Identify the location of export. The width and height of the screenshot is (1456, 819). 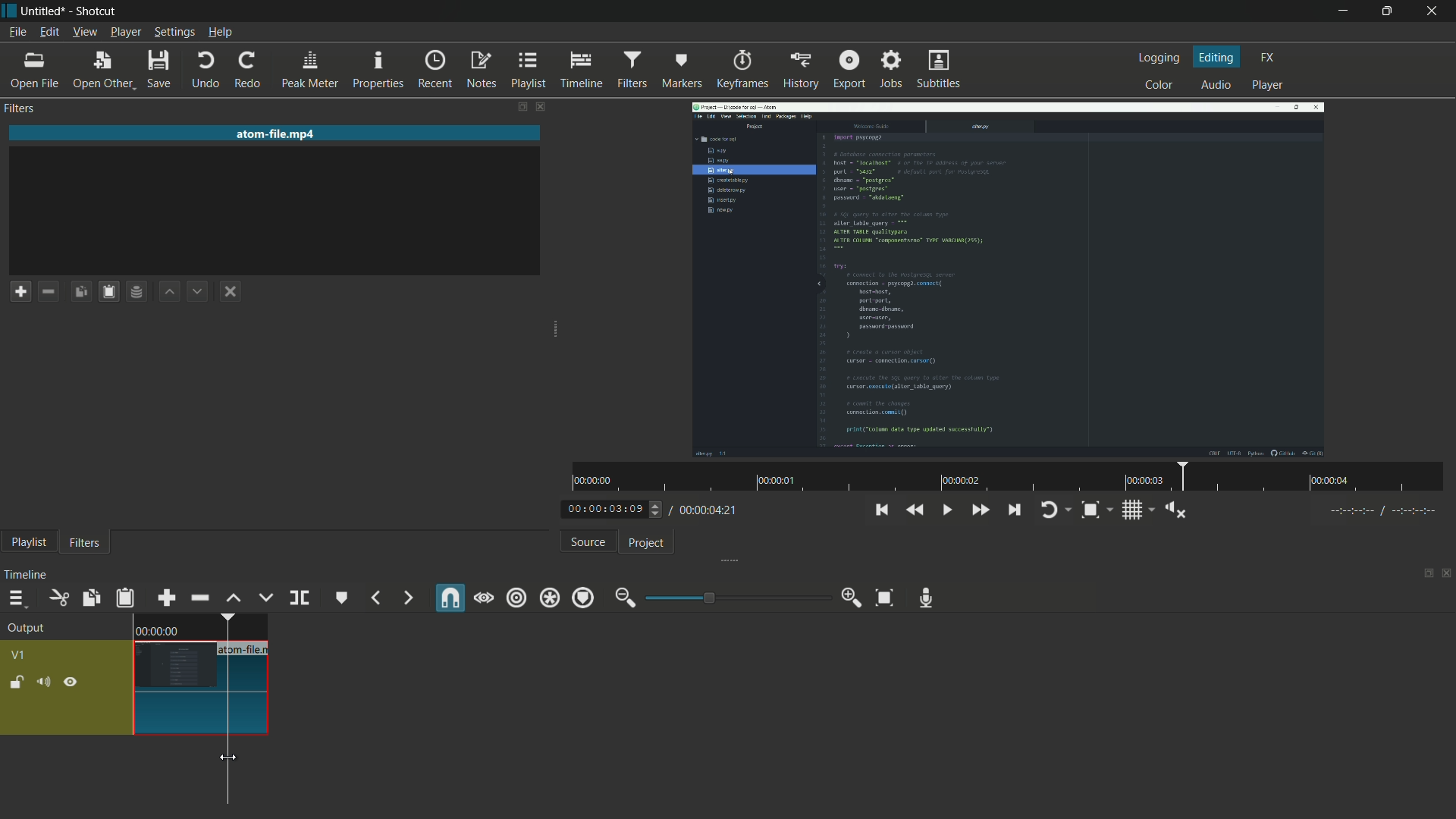
(849, 71).